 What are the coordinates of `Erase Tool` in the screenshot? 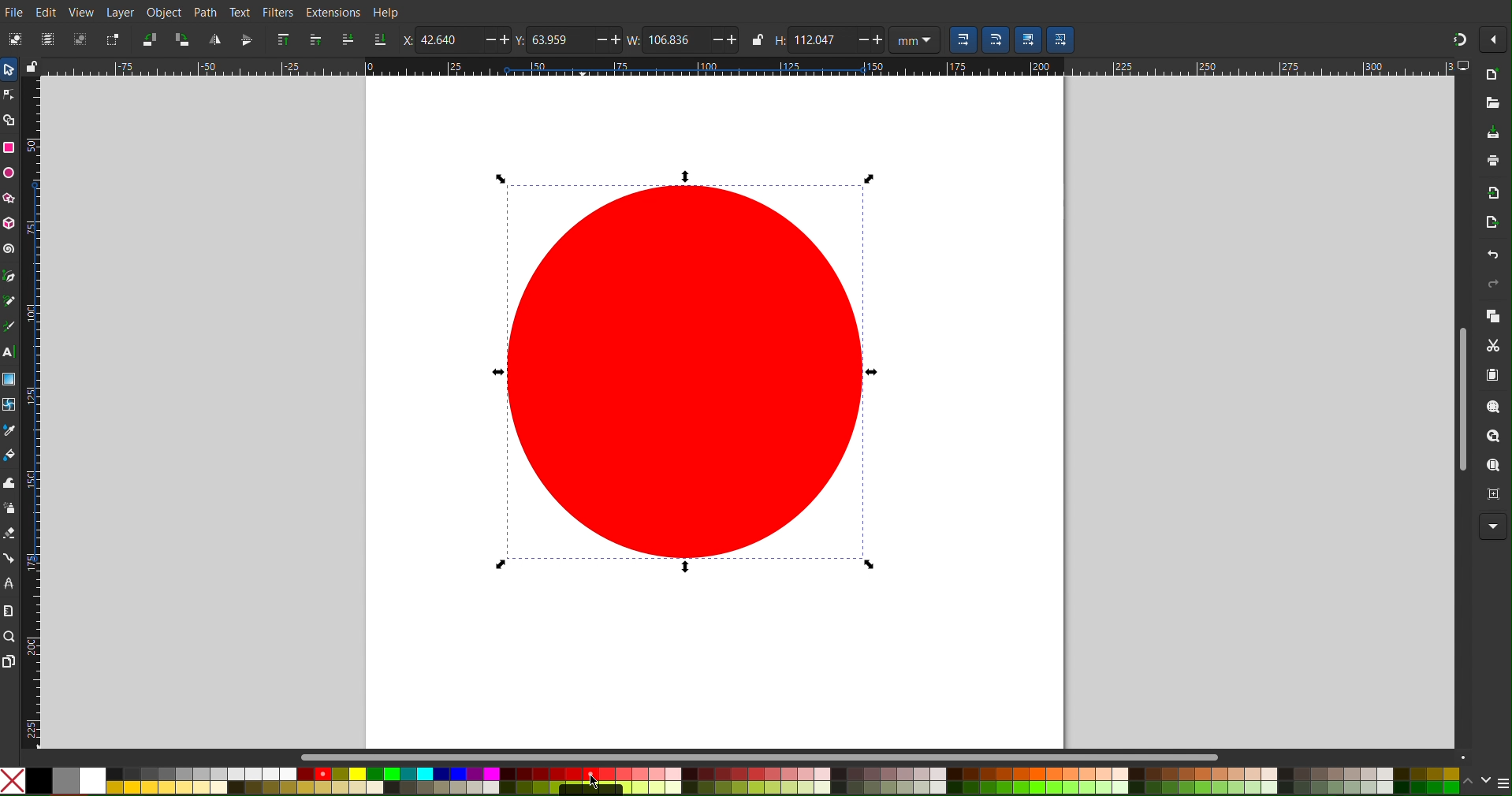 It's located at (9, 533).